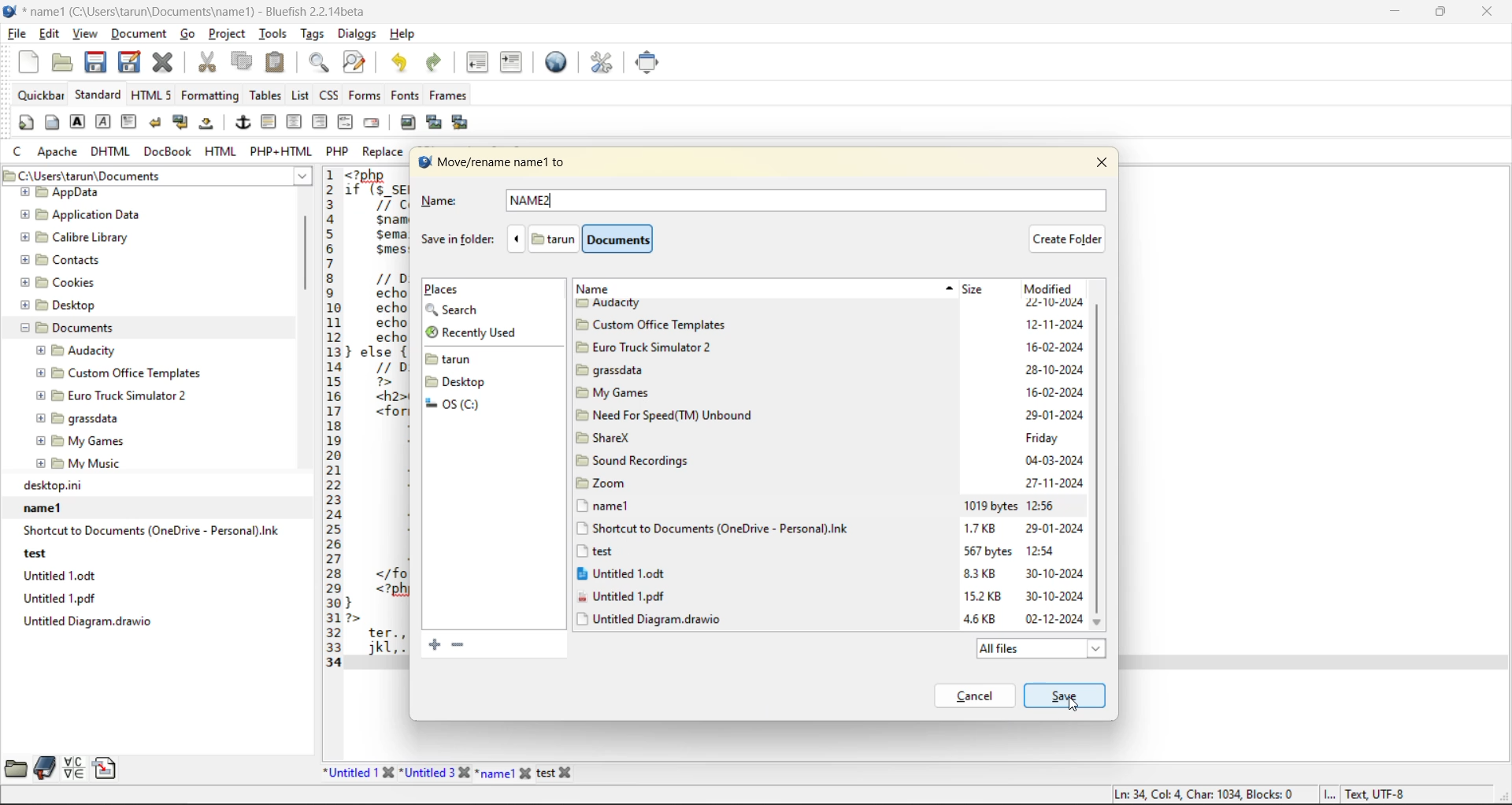 The width and height of the screenshot is (1512, 805). Describe the element at coordinates (651, 64) in the screenshot. I see `full screen` at that location.